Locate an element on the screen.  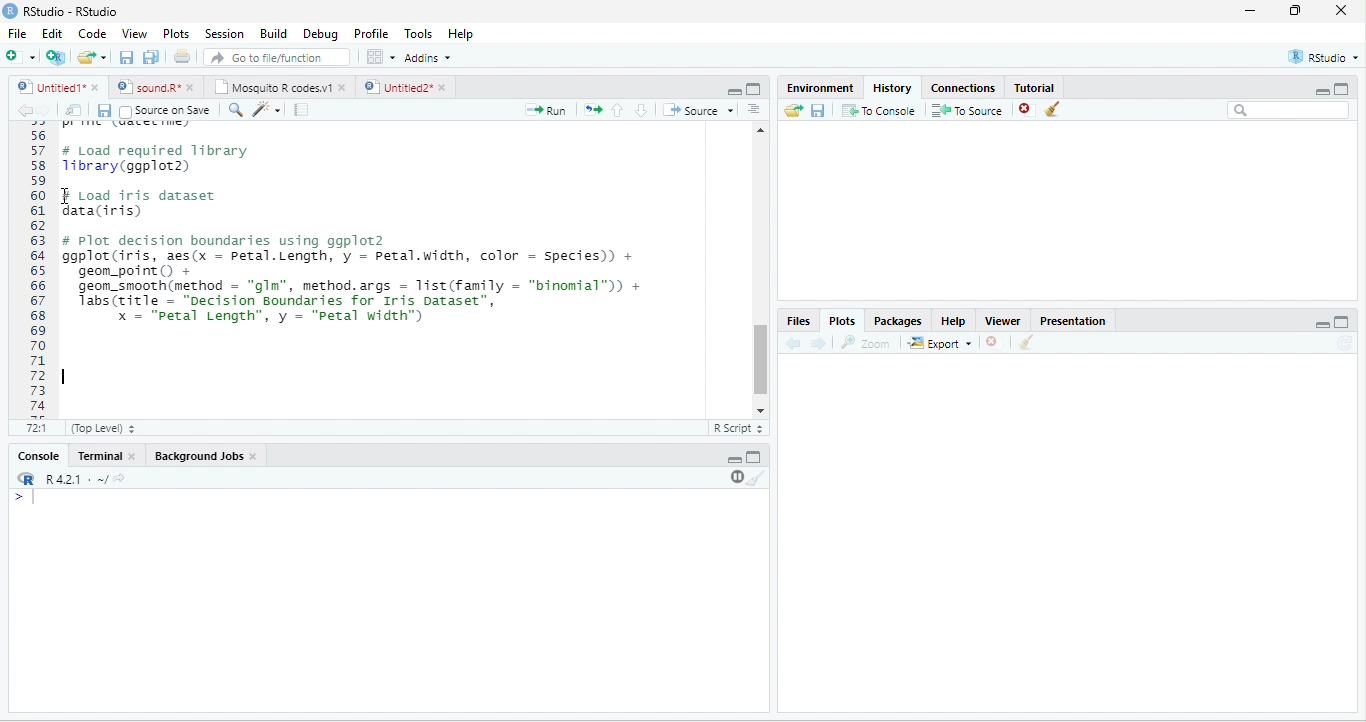
pause is located at coordinates (735, 477).